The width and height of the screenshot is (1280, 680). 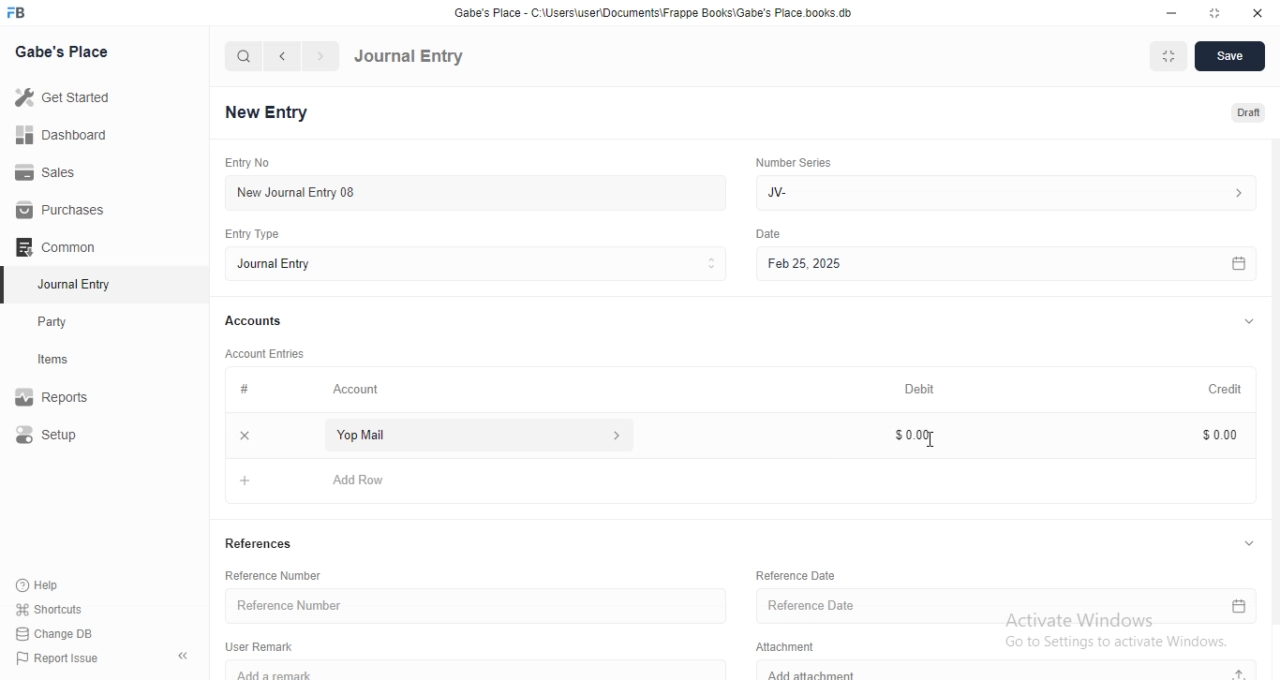 What do you see at coordinates (266, 111) in the screenshot?
I see `New Entry` at bounding box center [266, 111].